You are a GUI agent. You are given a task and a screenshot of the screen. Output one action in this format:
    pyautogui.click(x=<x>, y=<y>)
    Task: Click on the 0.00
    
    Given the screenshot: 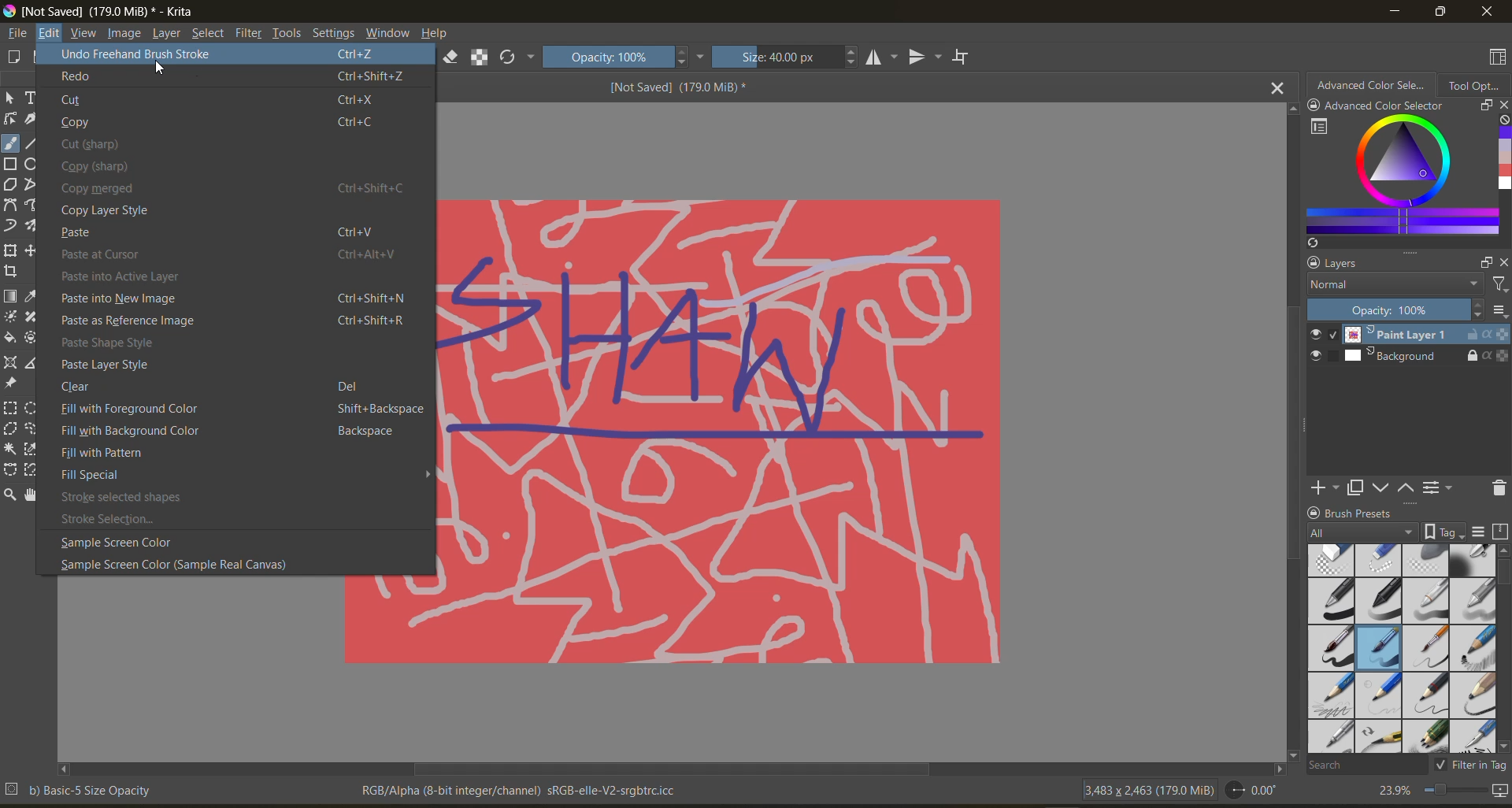 What is the action you would take?
    pyautogui.click(x=1257, y=791)
    